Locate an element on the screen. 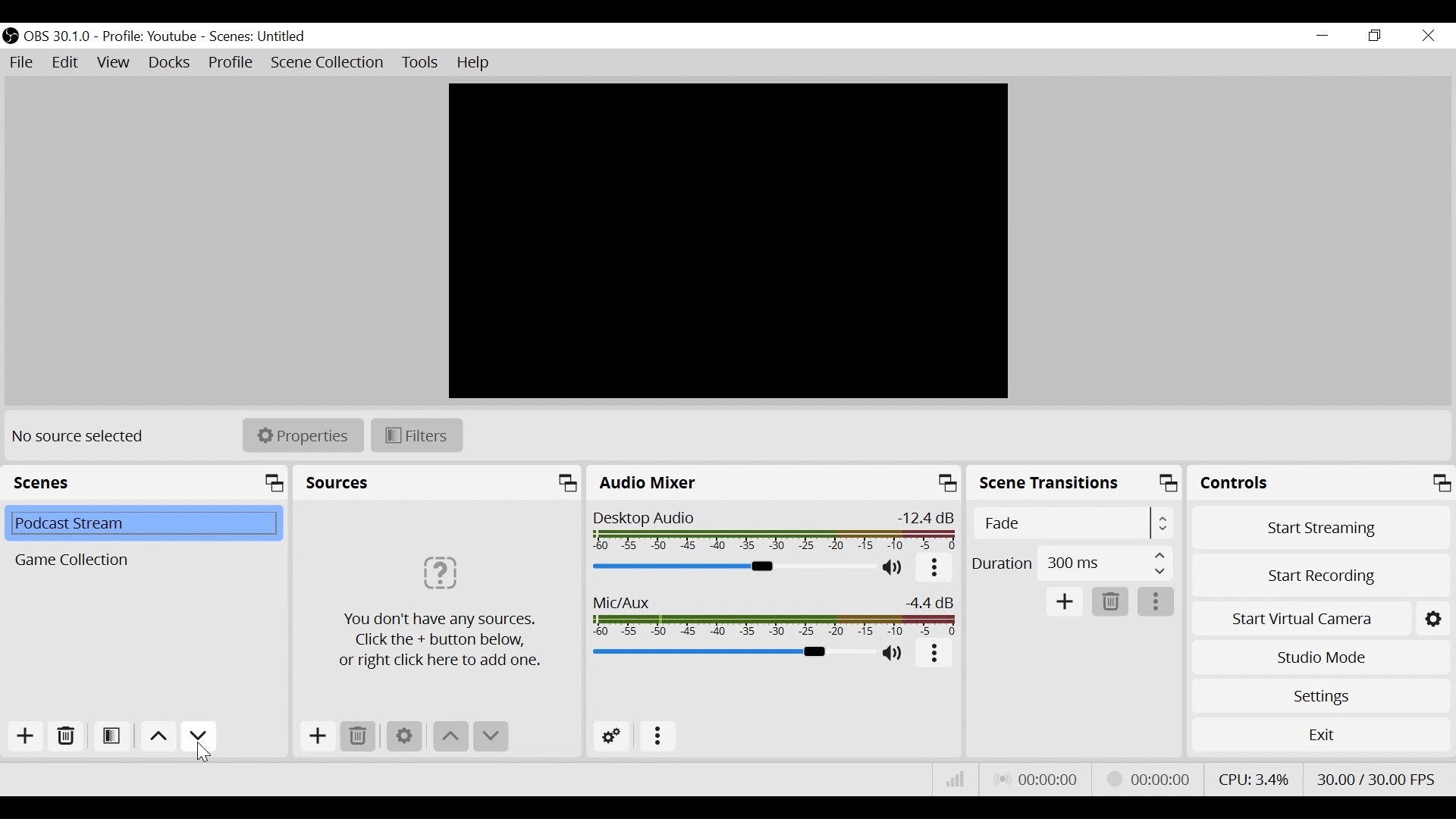  Desktop Audio Slider is located at coordinates (735, 567).